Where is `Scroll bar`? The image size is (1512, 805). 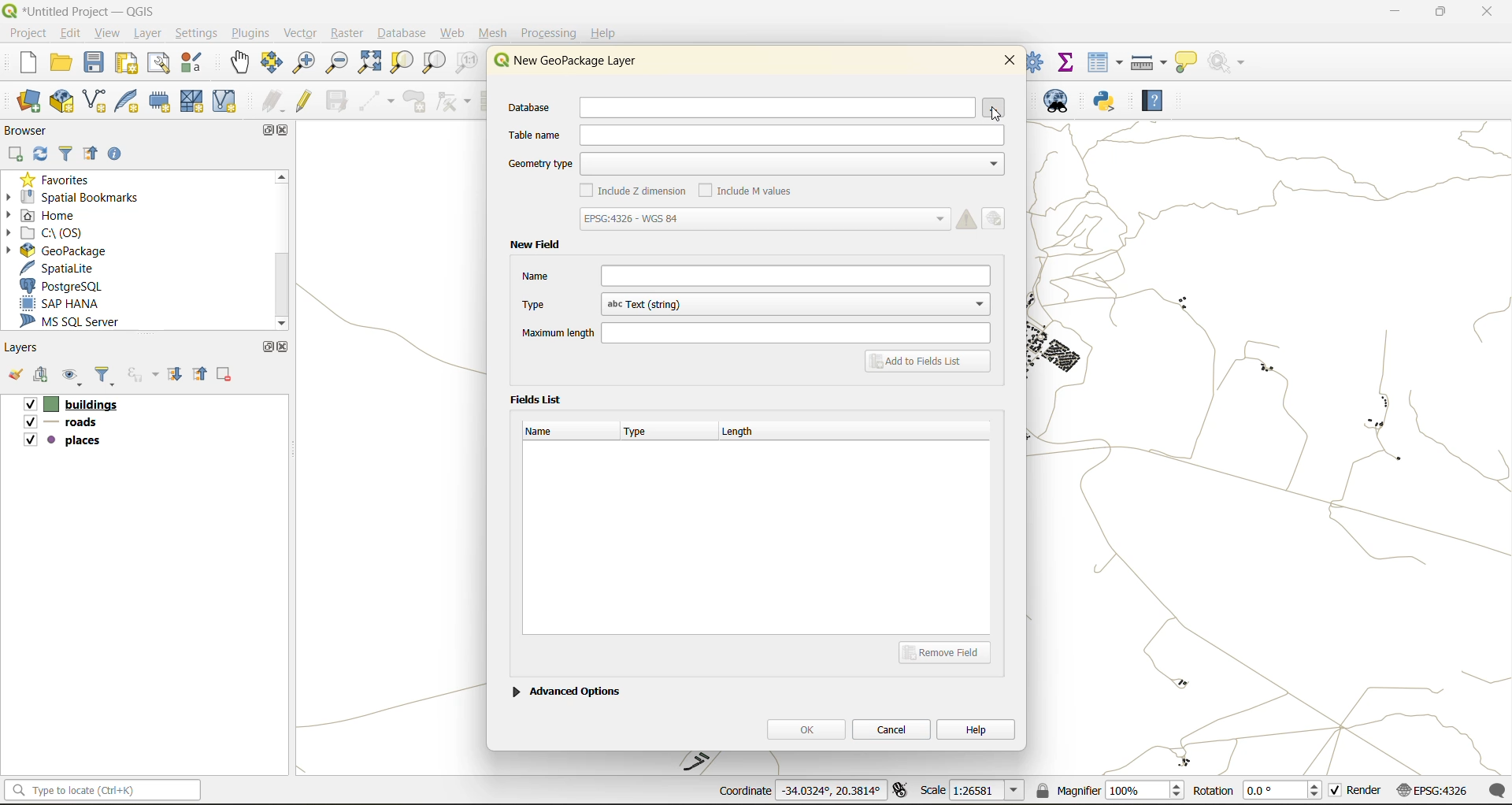
Scroll bar is located at coordinates (280, 250).